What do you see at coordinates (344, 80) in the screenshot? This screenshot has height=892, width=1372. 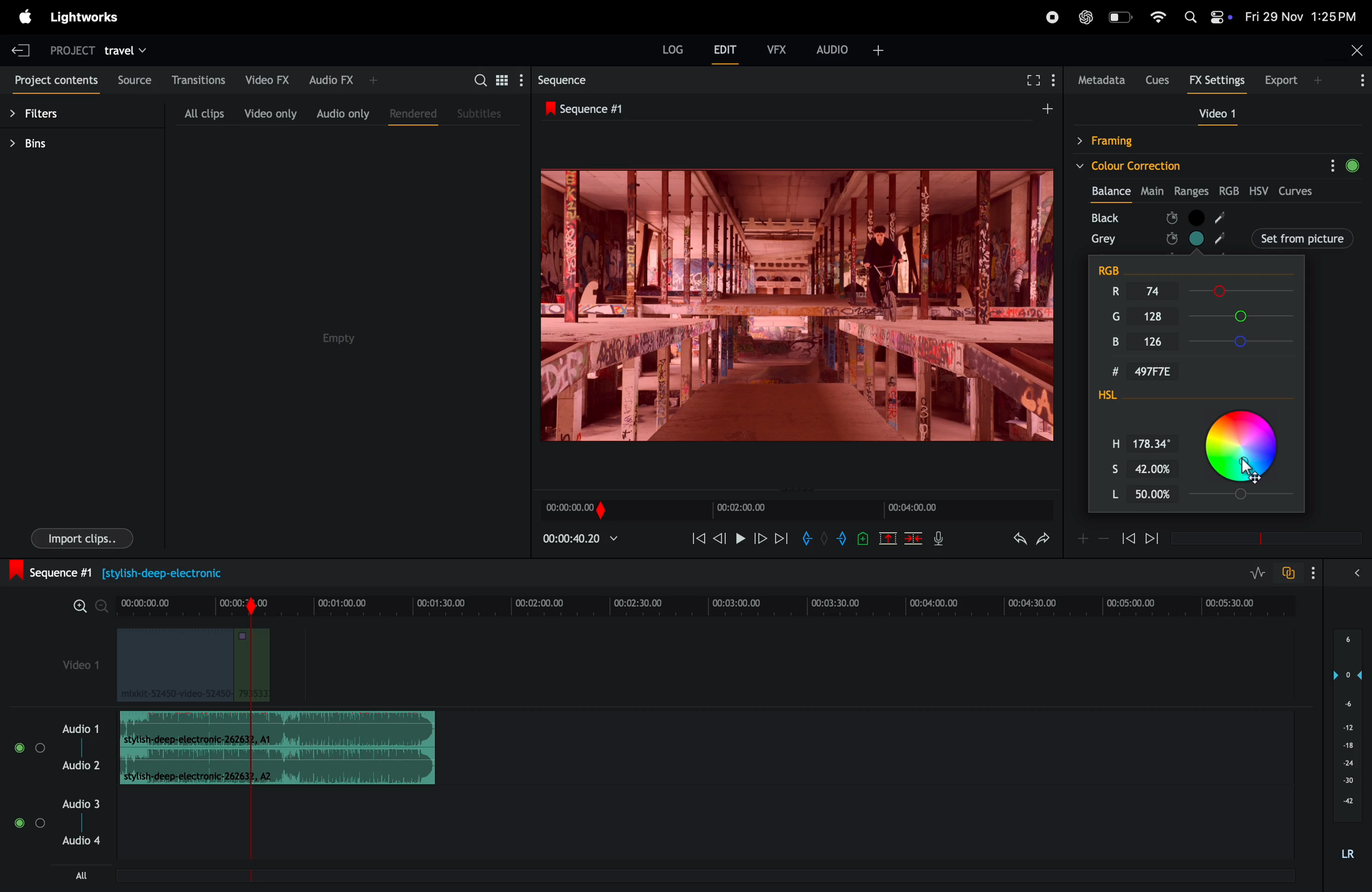 I see `audio fx` at bounding box center [344, 80].